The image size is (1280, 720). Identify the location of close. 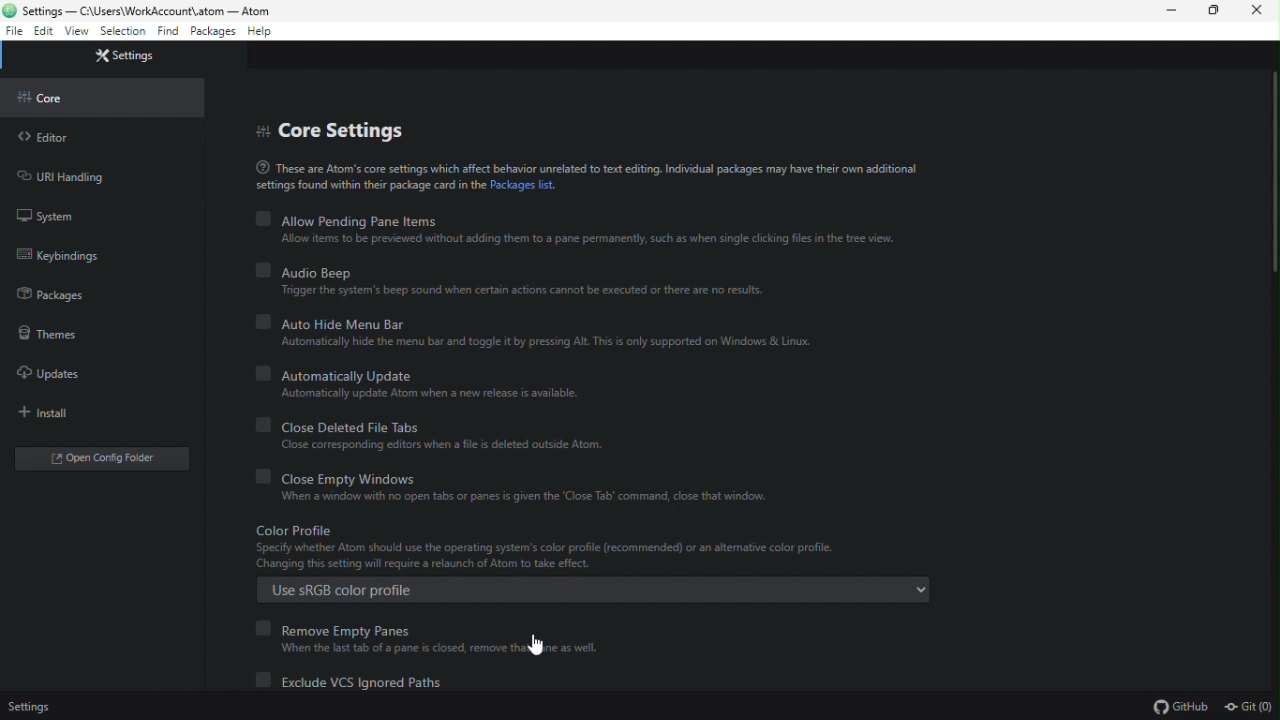
(1261, 14).